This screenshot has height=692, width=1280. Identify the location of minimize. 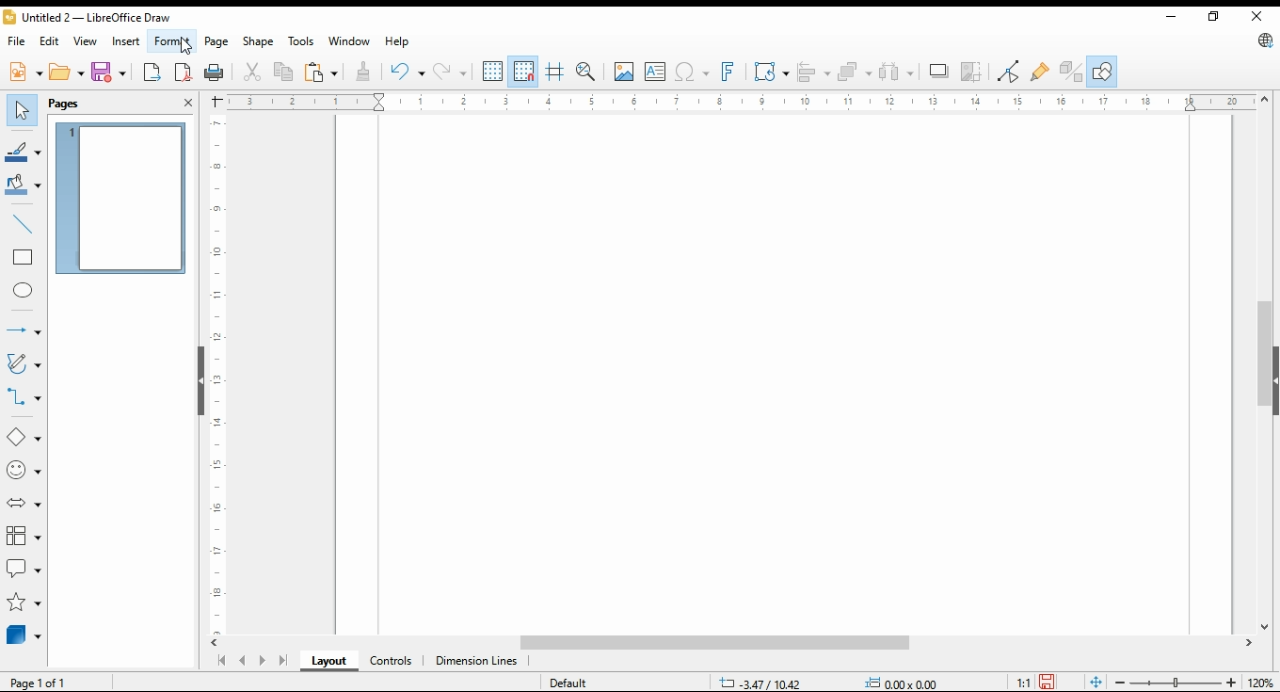
(1174, 13).